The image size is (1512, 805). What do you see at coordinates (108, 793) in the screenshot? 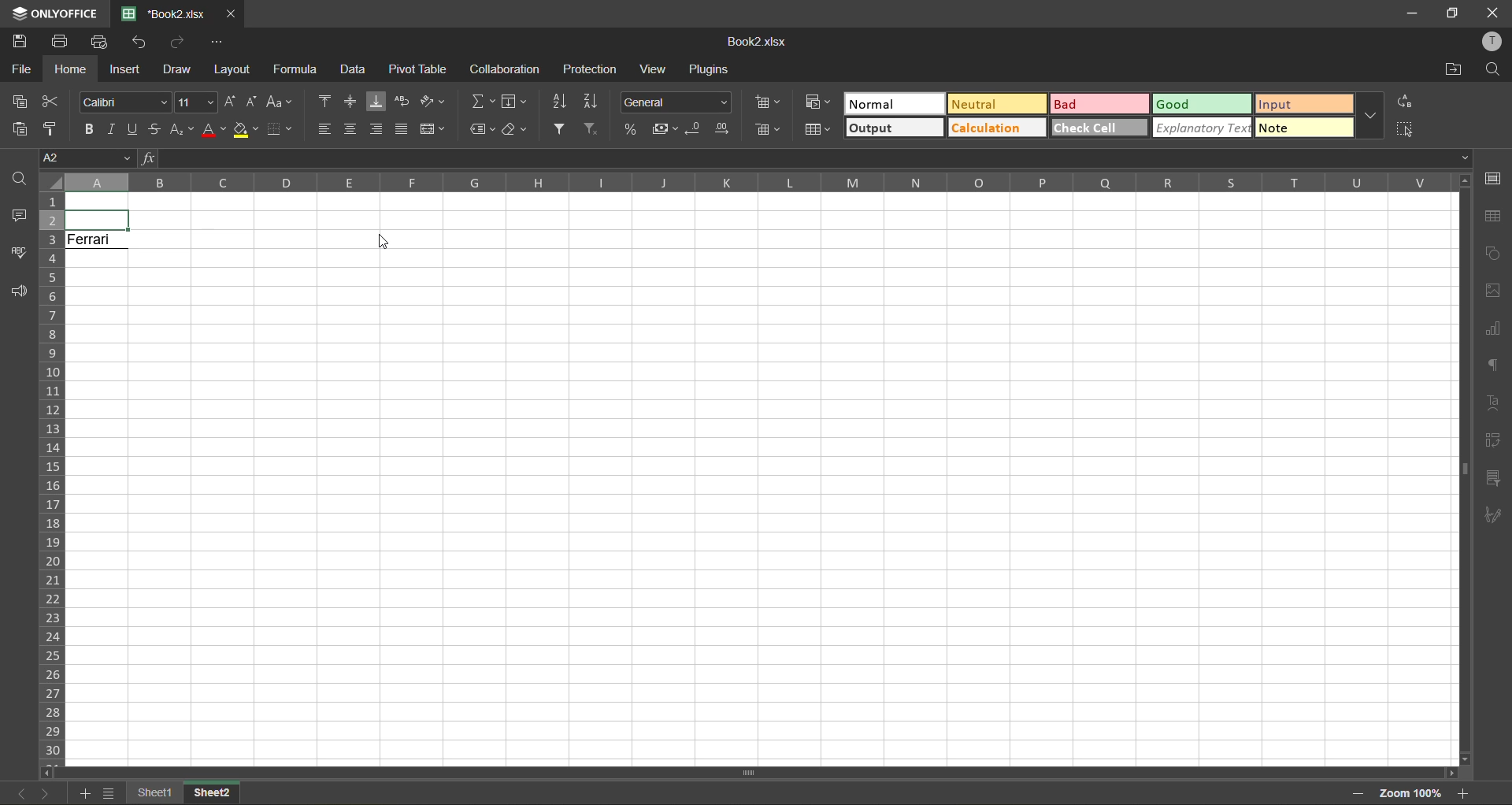
I see `sheet list` at bounding box center [108, 793].